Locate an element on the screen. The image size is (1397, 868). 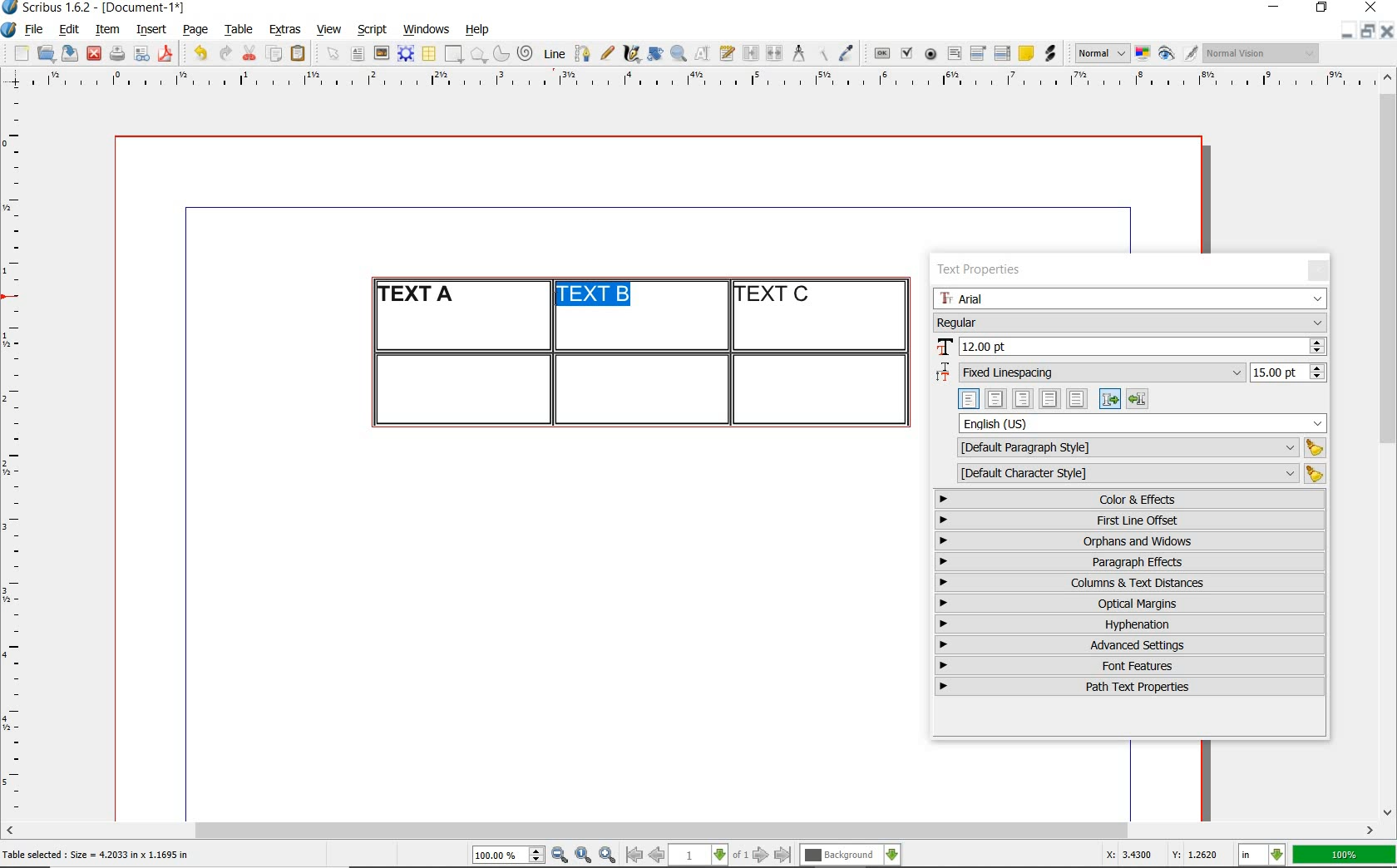
default character style is located at coordinates (1136, 474).